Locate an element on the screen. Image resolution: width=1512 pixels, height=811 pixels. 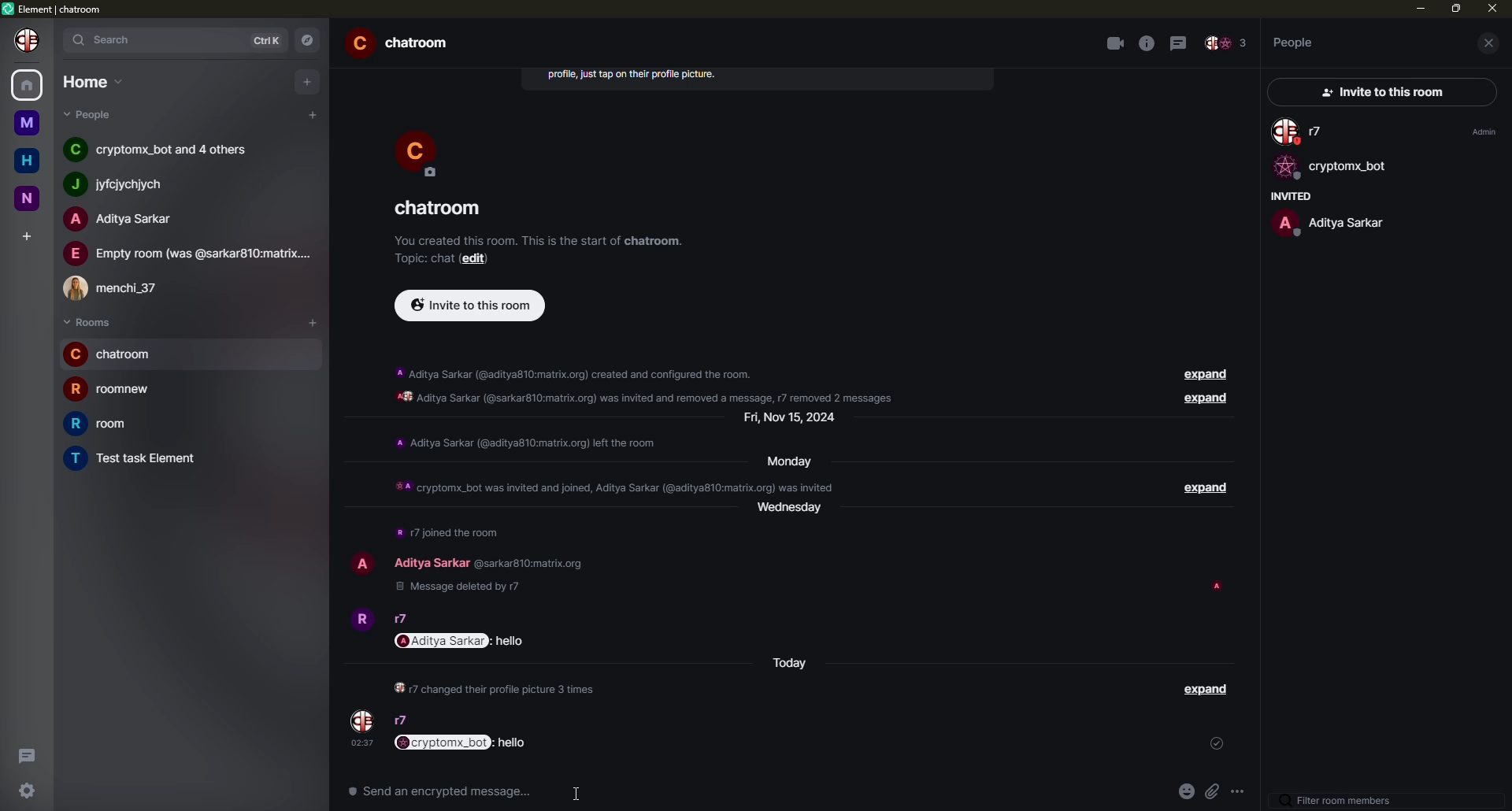
search is located at coordinates (109, 39).